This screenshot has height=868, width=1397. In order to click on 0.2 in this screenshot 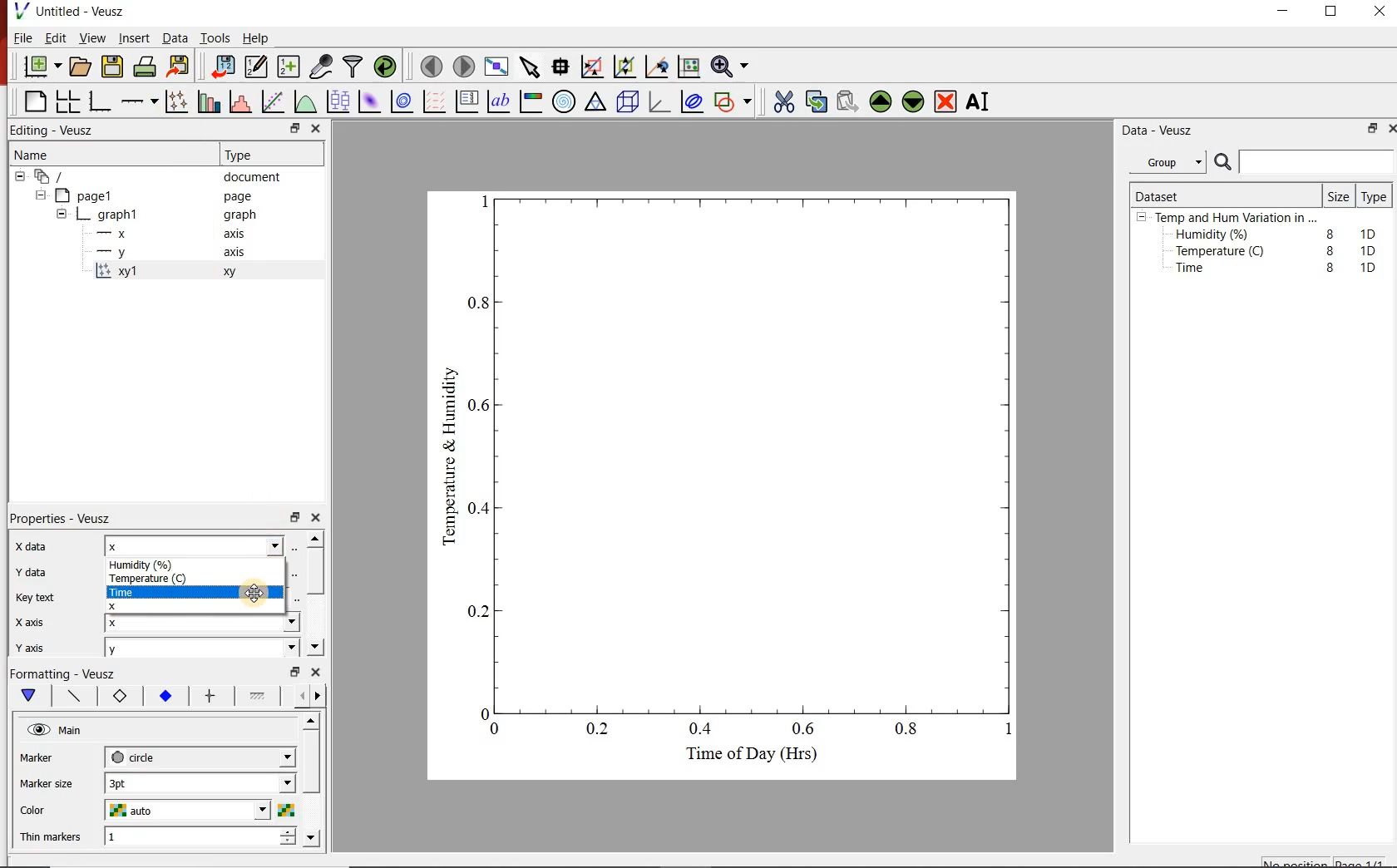, I will do `click(600, 730)`.